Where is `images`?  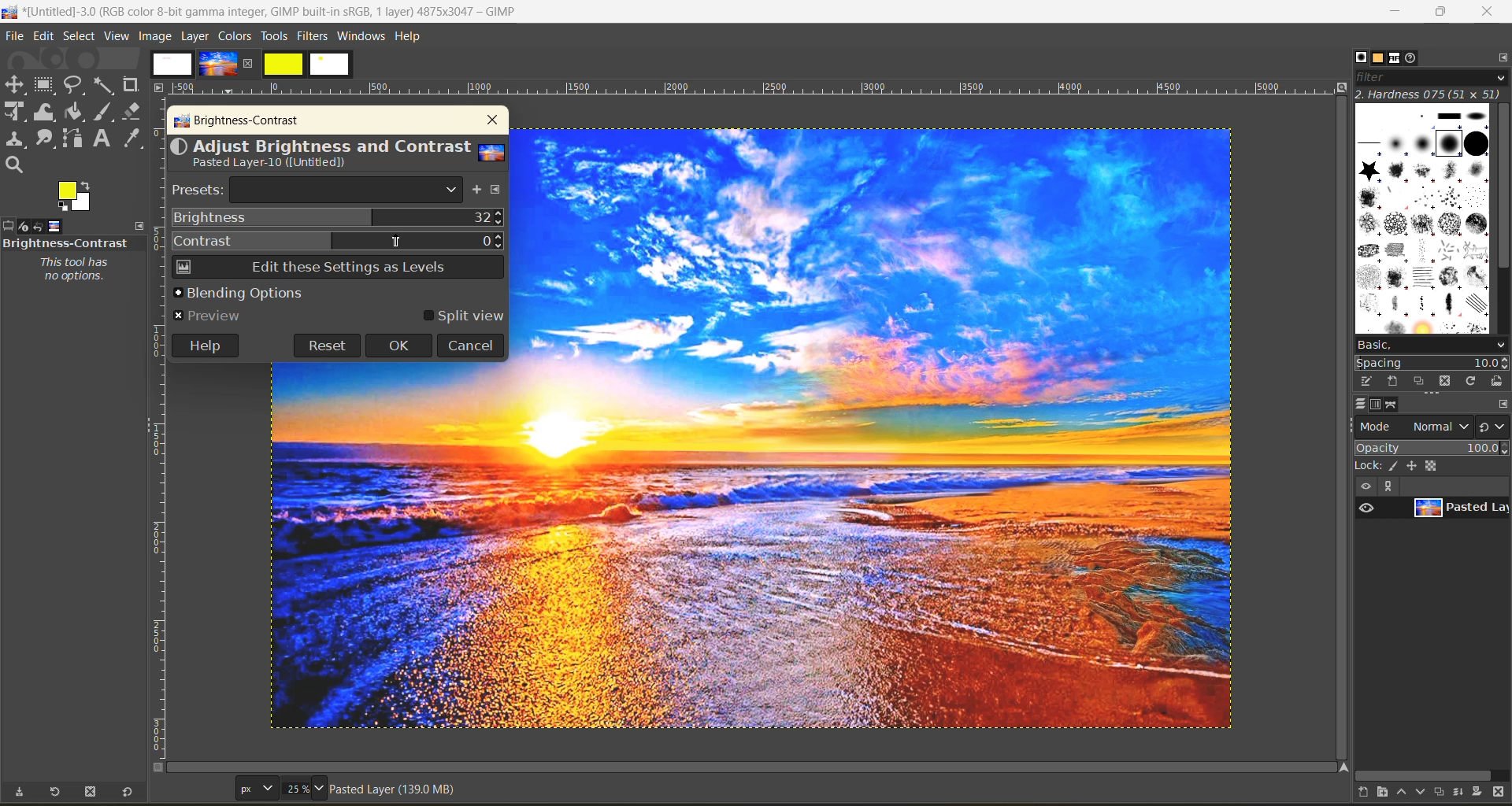
images is located at coordinates (250, 65).